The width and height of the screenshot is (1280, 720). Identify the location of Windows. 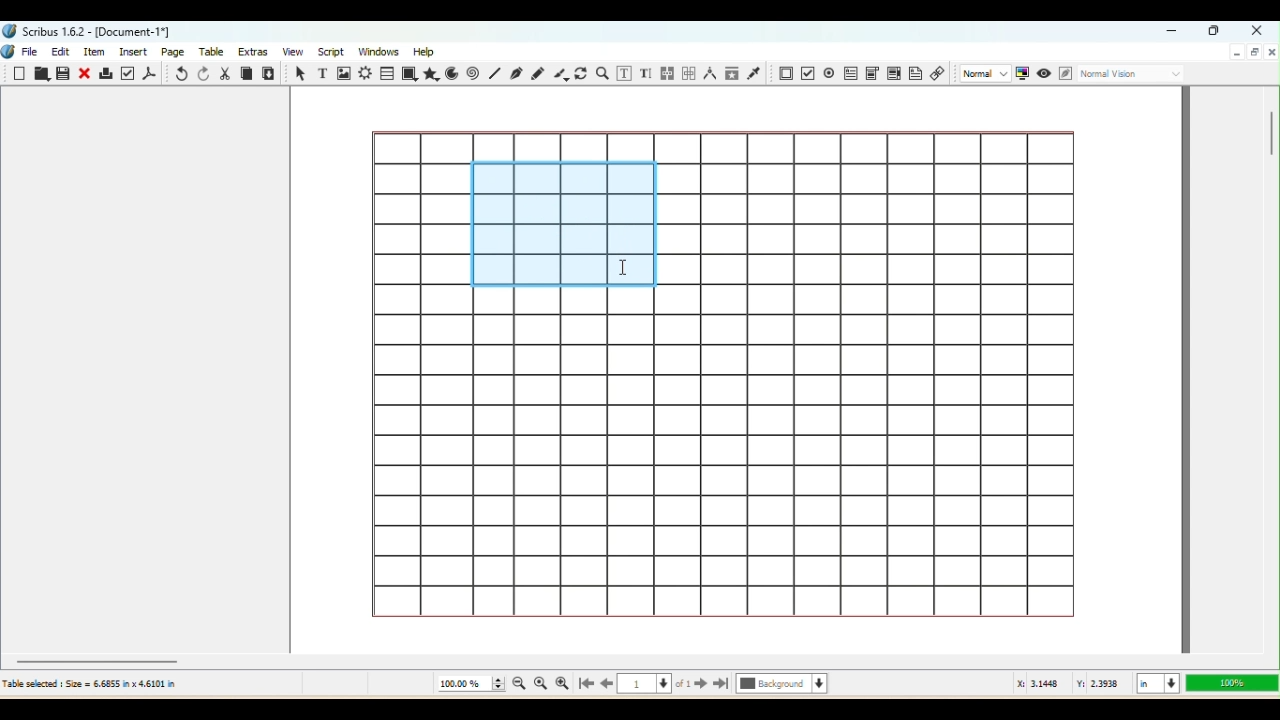
(380, 50).